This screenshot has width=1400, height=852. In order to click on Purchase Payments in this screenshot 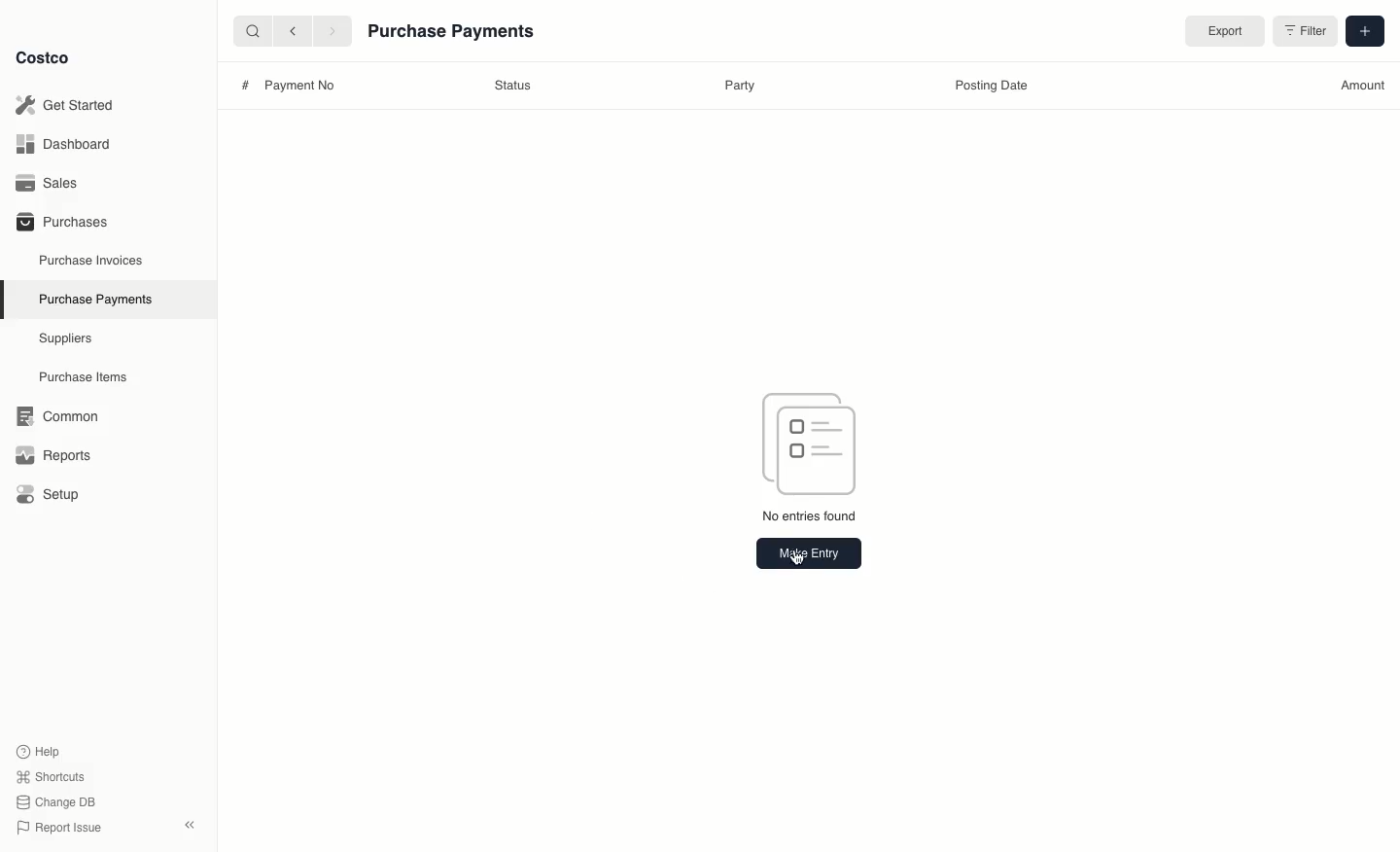, I will do `click(94, 298)`.